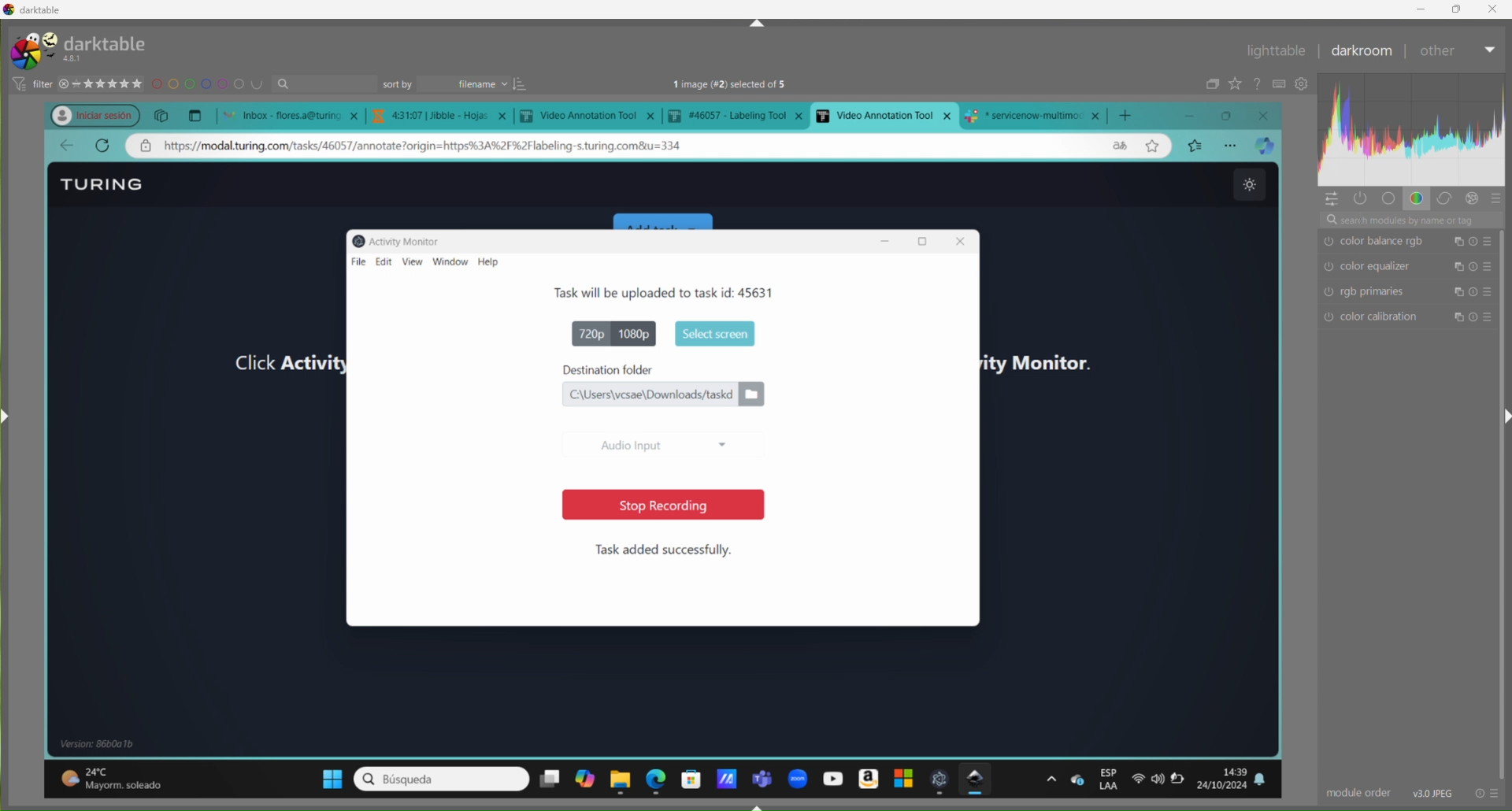 Image resolution: width=1512 pixels, height=811 pixels. I want to click on add new tab, so click(1131, 112).